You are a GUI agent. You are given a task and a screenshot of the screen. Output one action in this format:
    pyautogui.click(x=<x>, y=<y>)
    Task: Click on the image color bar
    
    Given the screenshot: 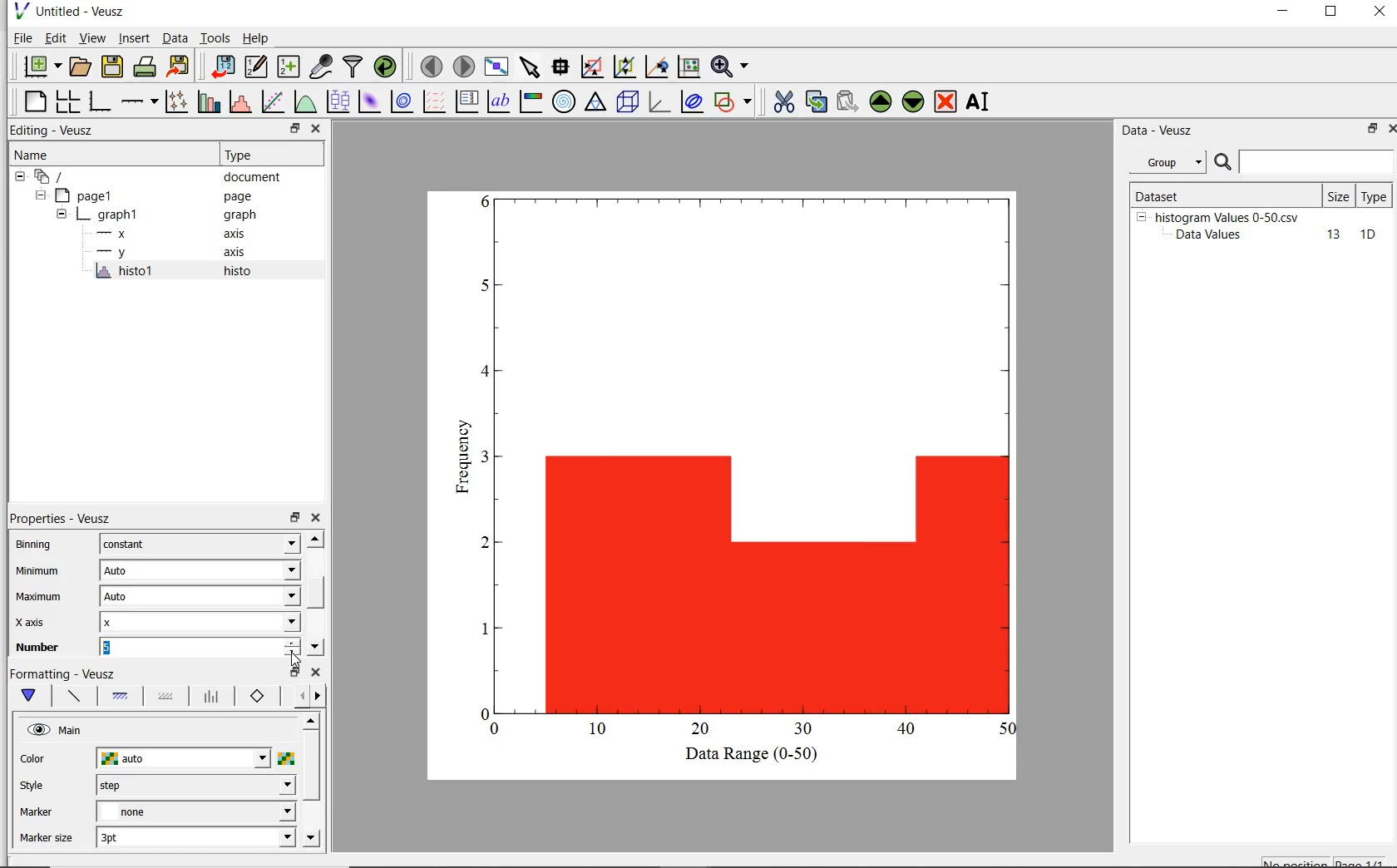 What is the action you would take?
    pyautogui.click(x=532, y=101)
    